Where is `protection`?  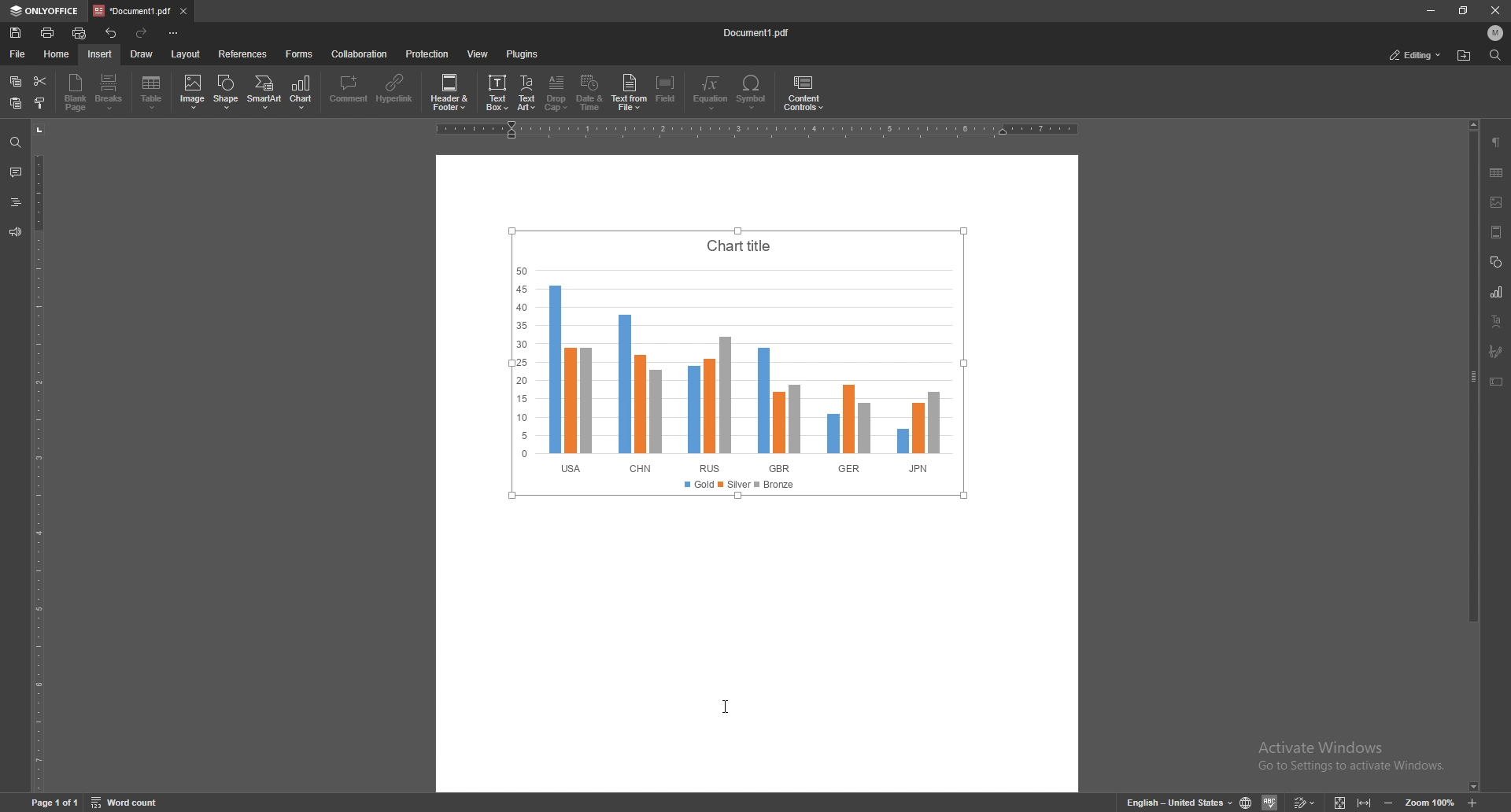 protection is located at coordinates (427, 54).